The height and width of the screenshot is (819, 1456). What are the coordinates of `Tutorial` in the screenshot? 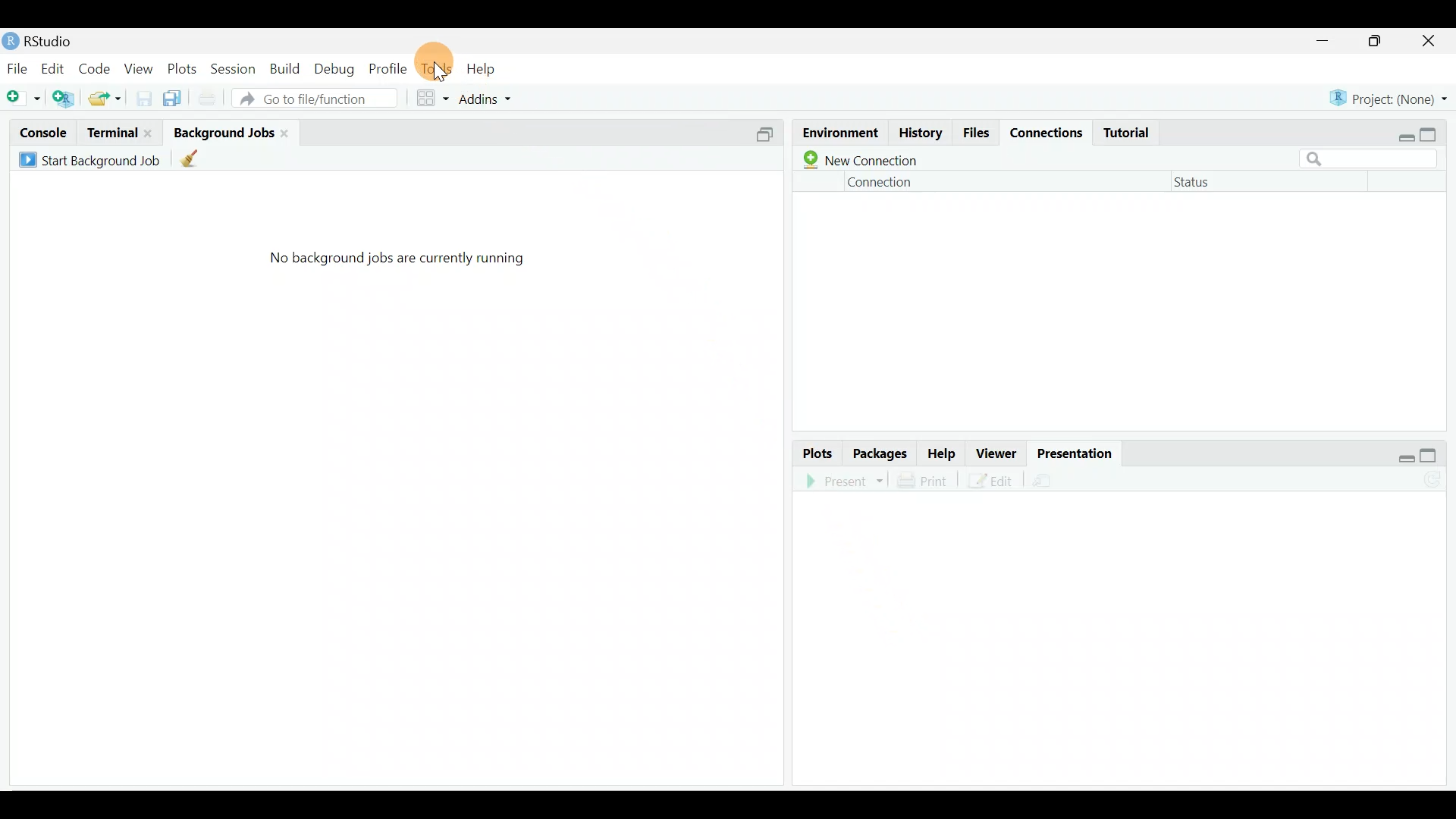 It's located at (1129, 133).